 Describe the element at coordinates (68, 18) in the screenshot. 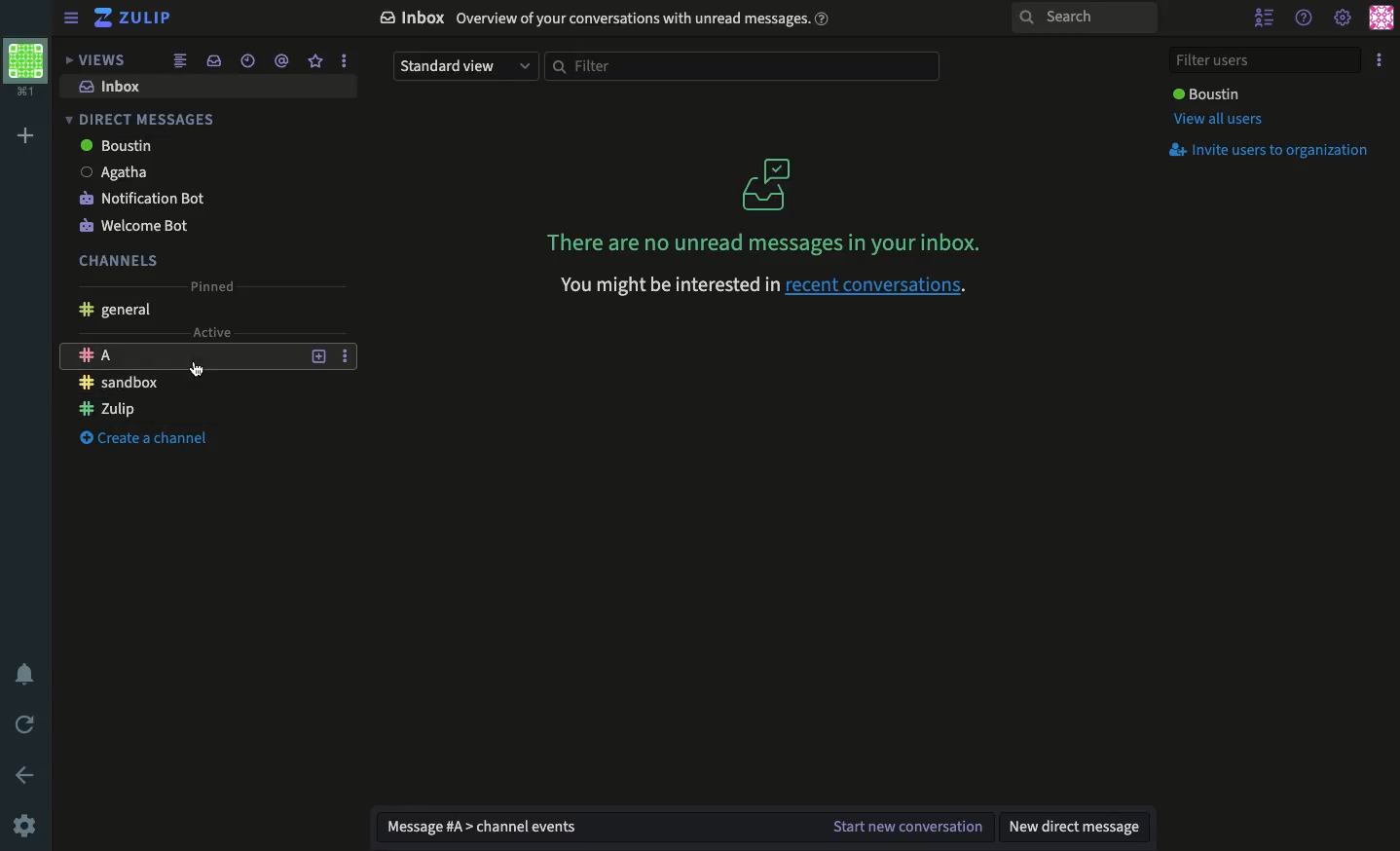

I see `Hide menu` at that location.